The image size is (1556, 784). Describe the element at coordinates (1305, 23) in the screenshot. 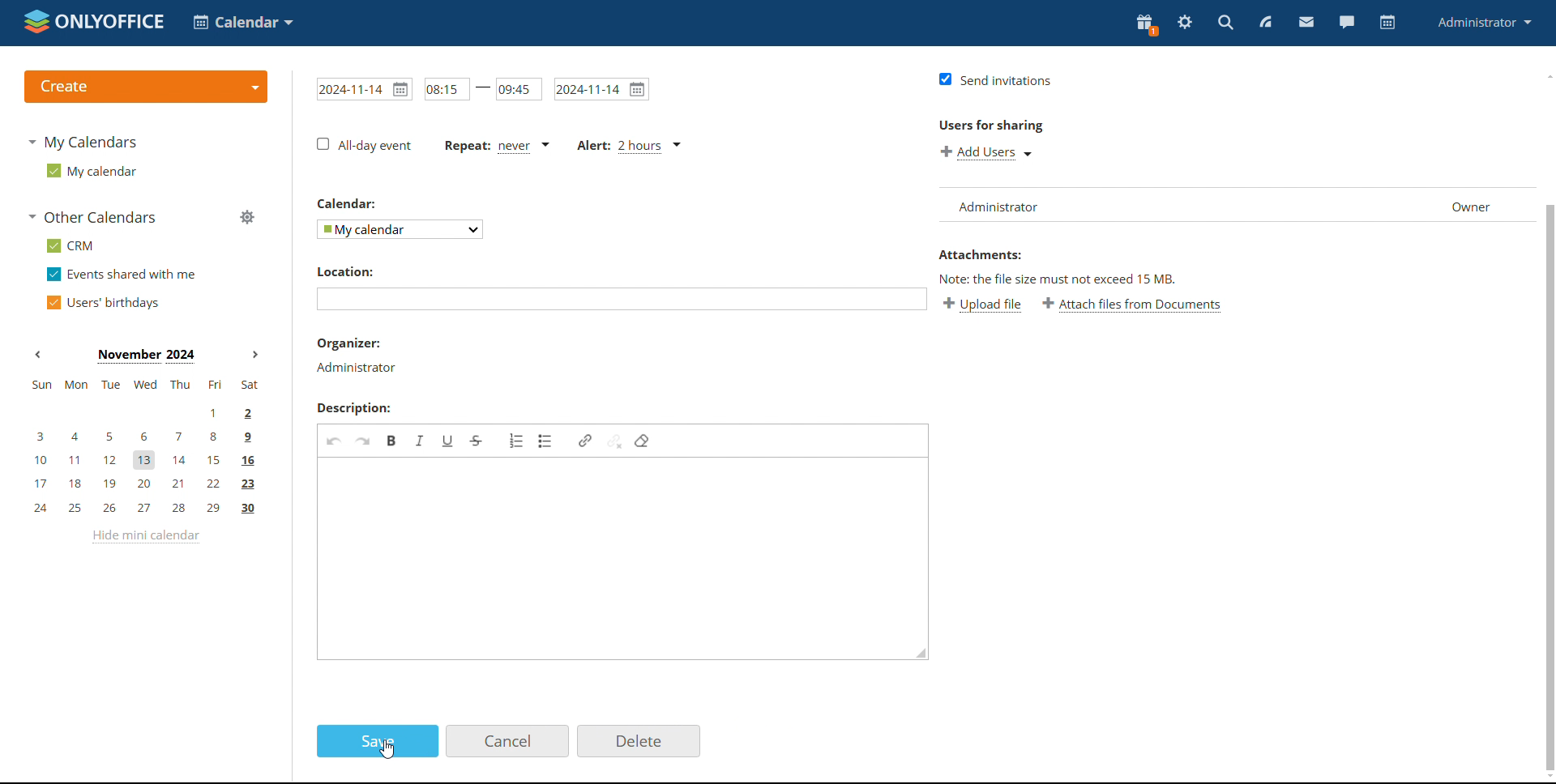

I see `mail` at that location.